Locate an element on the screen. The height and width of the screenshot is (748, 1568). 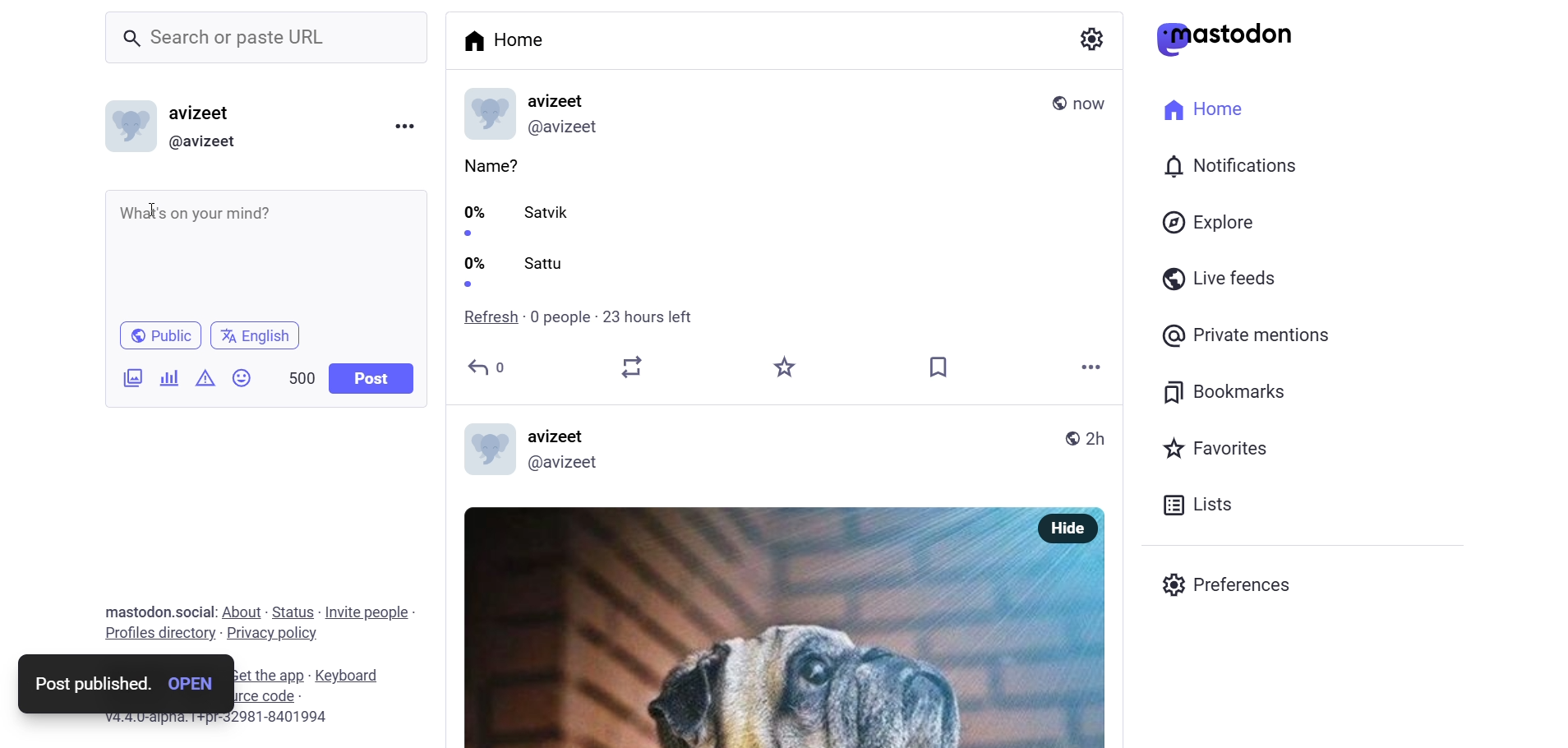
mastodon is located at coordinates (1225, 39).